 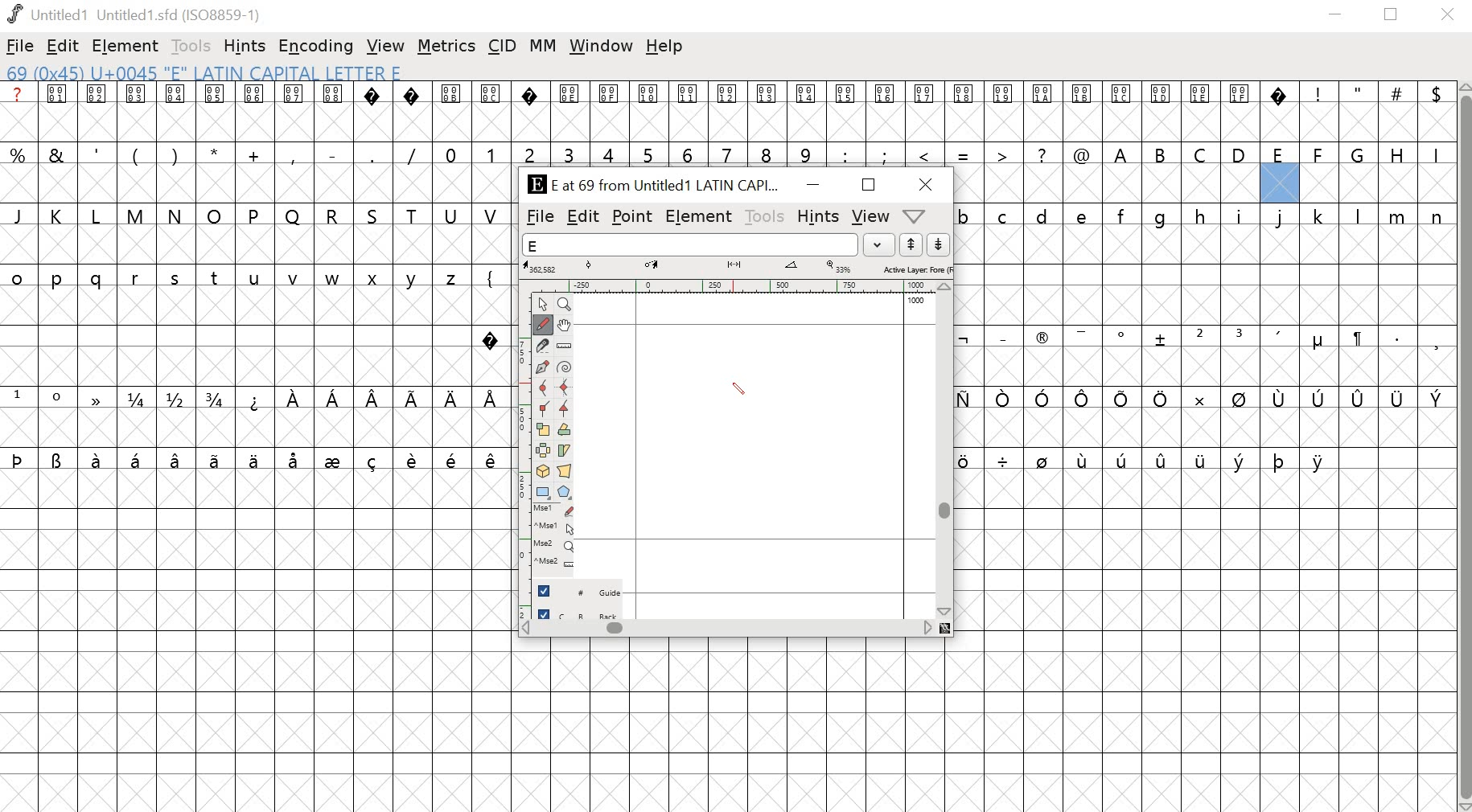 I want to click on file, so click(x=20, y=47).